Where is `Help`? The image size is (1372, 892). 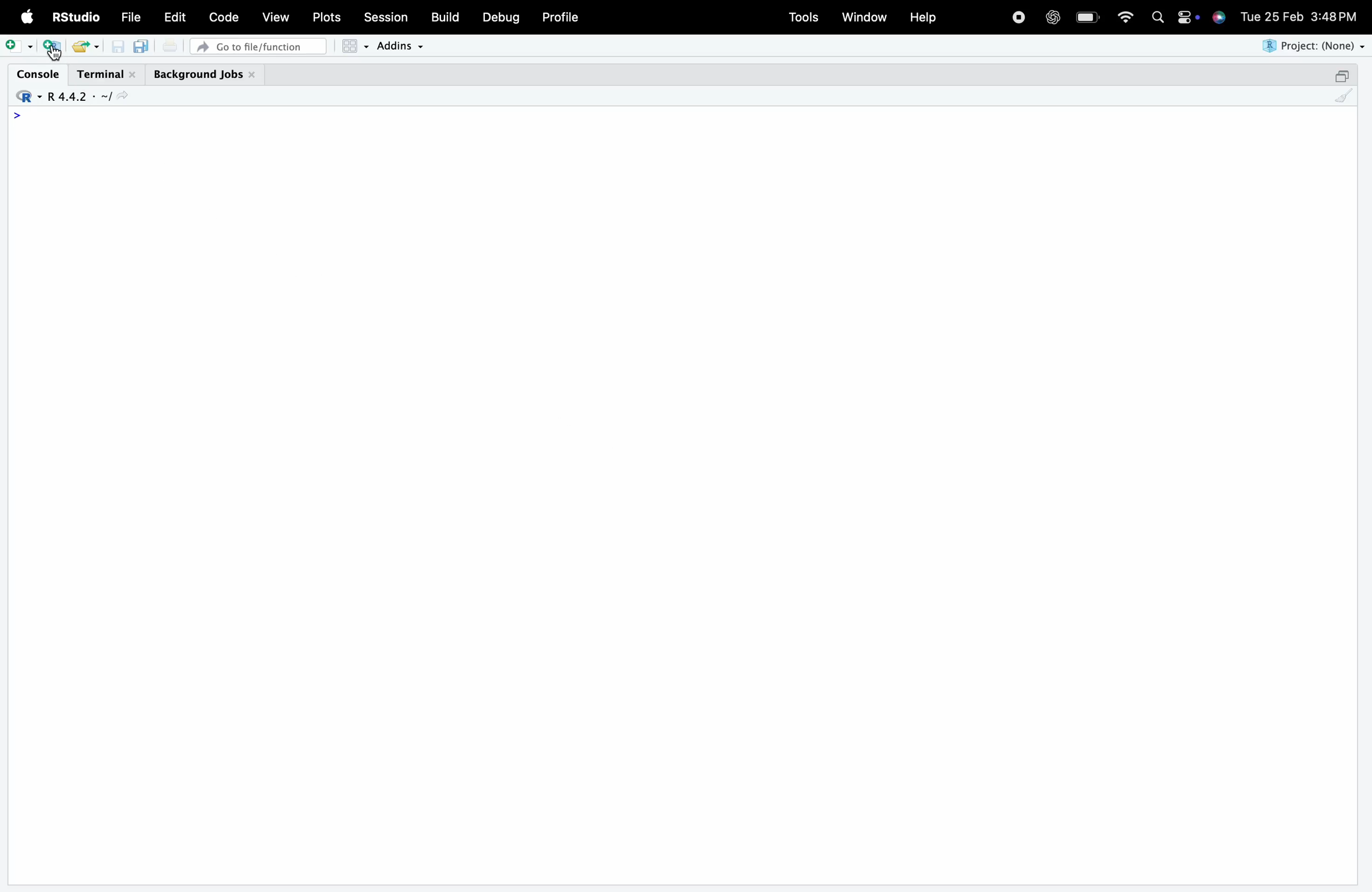
Help is located at coordinates (922, 17).